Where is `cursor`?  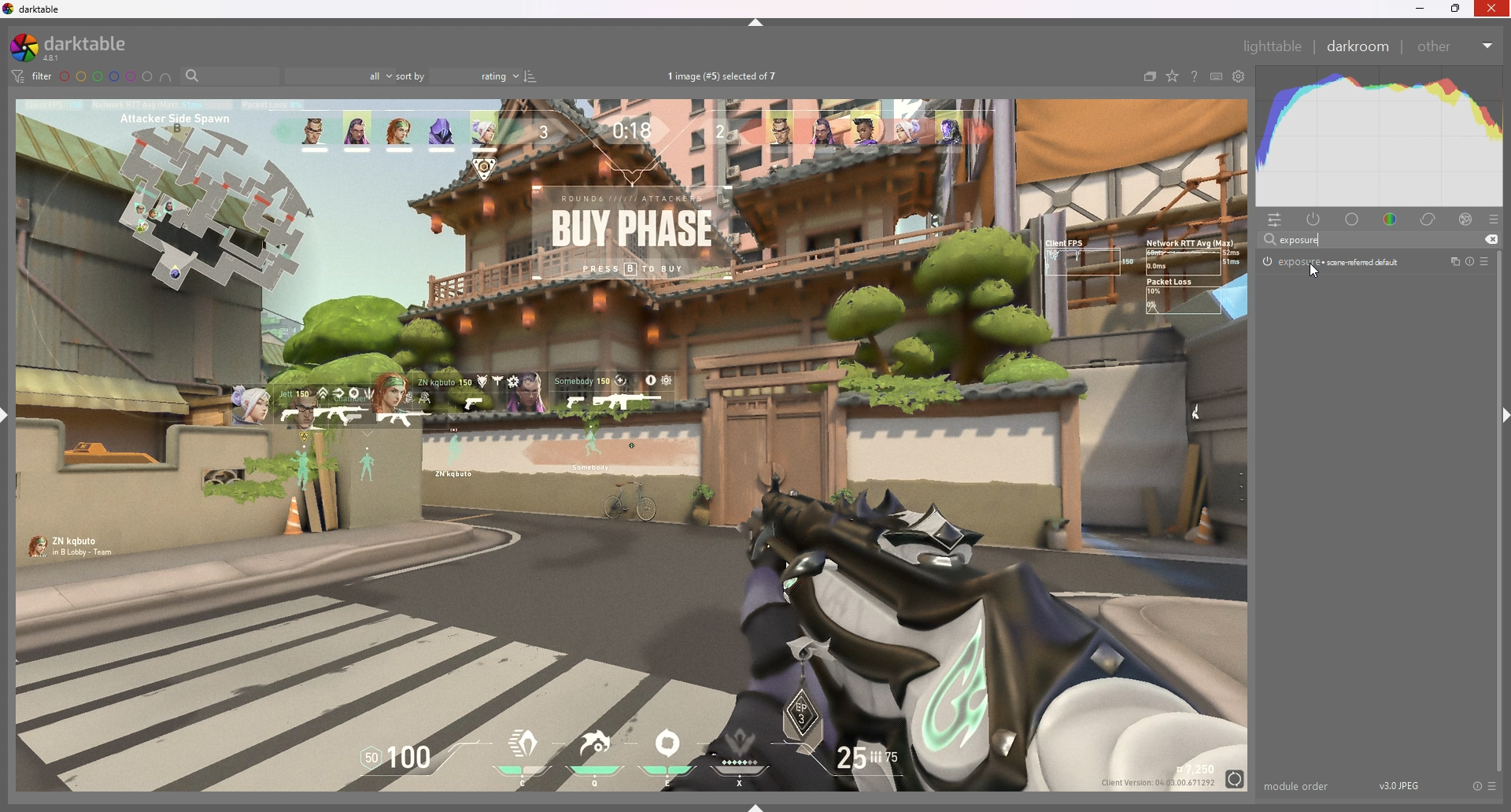 cursor is located at coordinates (1310, 272).